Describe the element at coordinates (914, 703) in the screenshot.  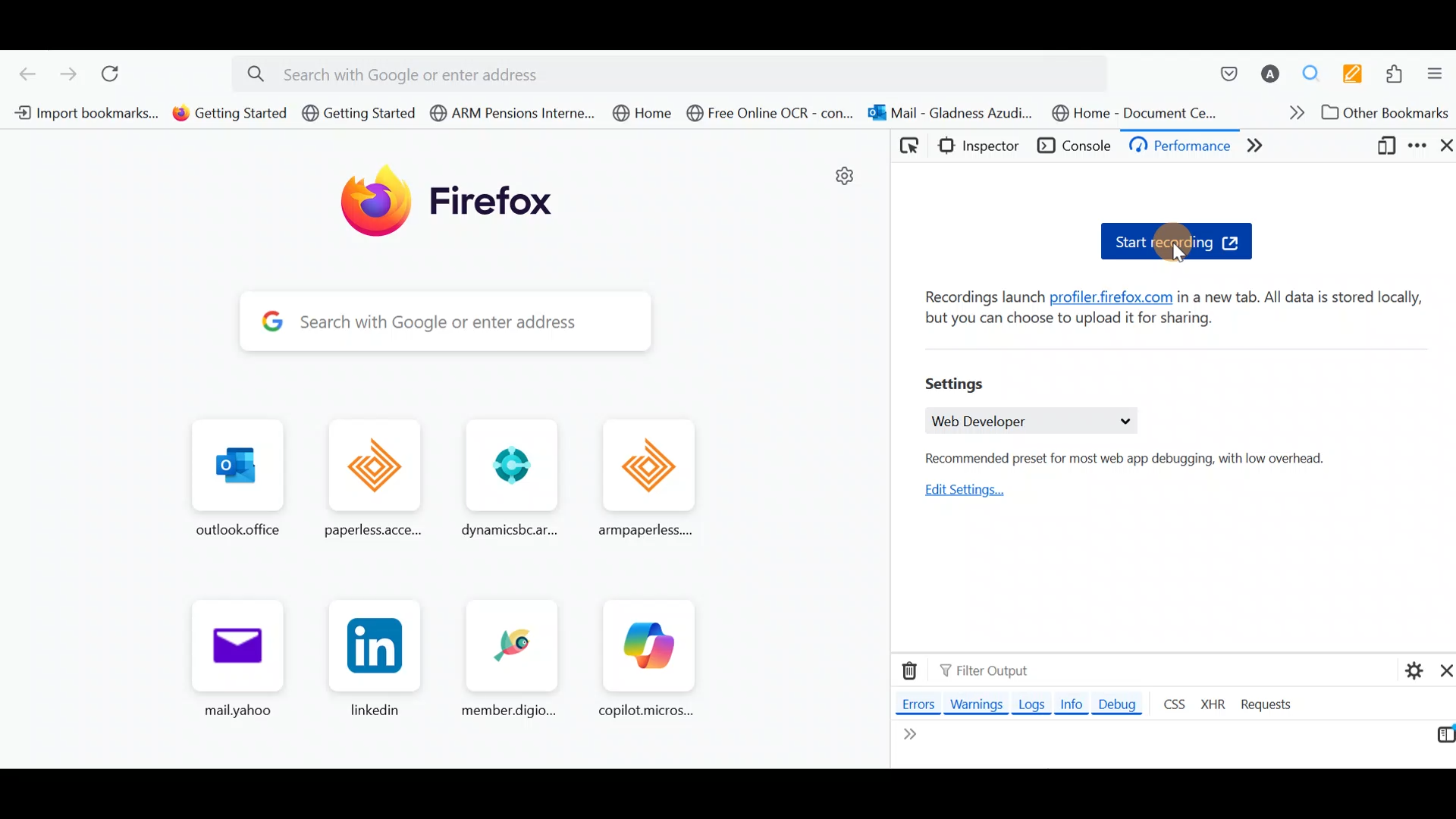
I see `Errors` at that location.